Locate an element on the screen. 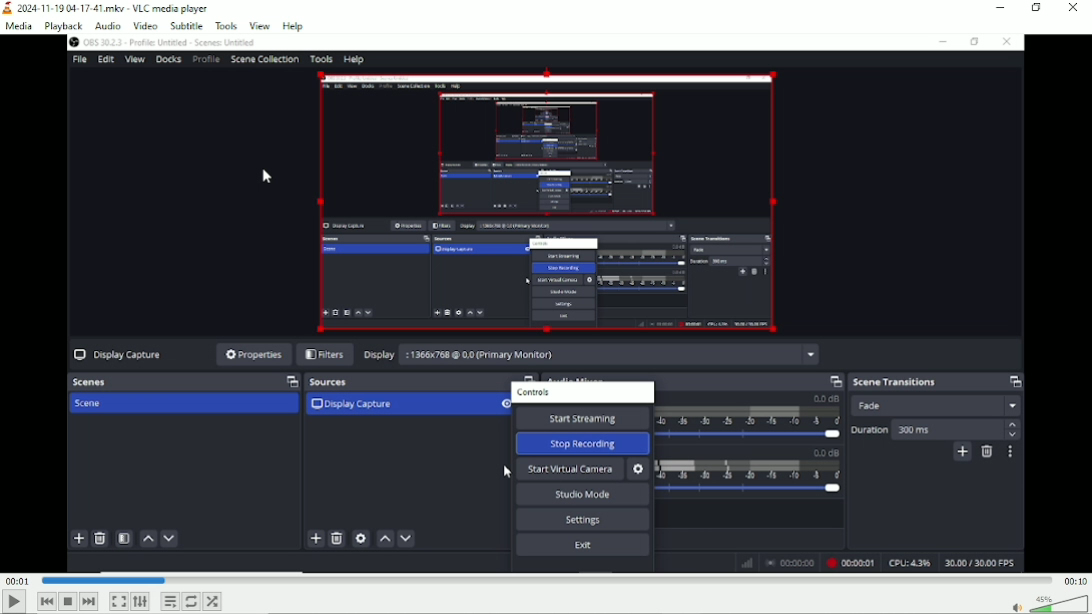 This screenshot has width=1092, height=614.  is located at coordinates (118, 601).